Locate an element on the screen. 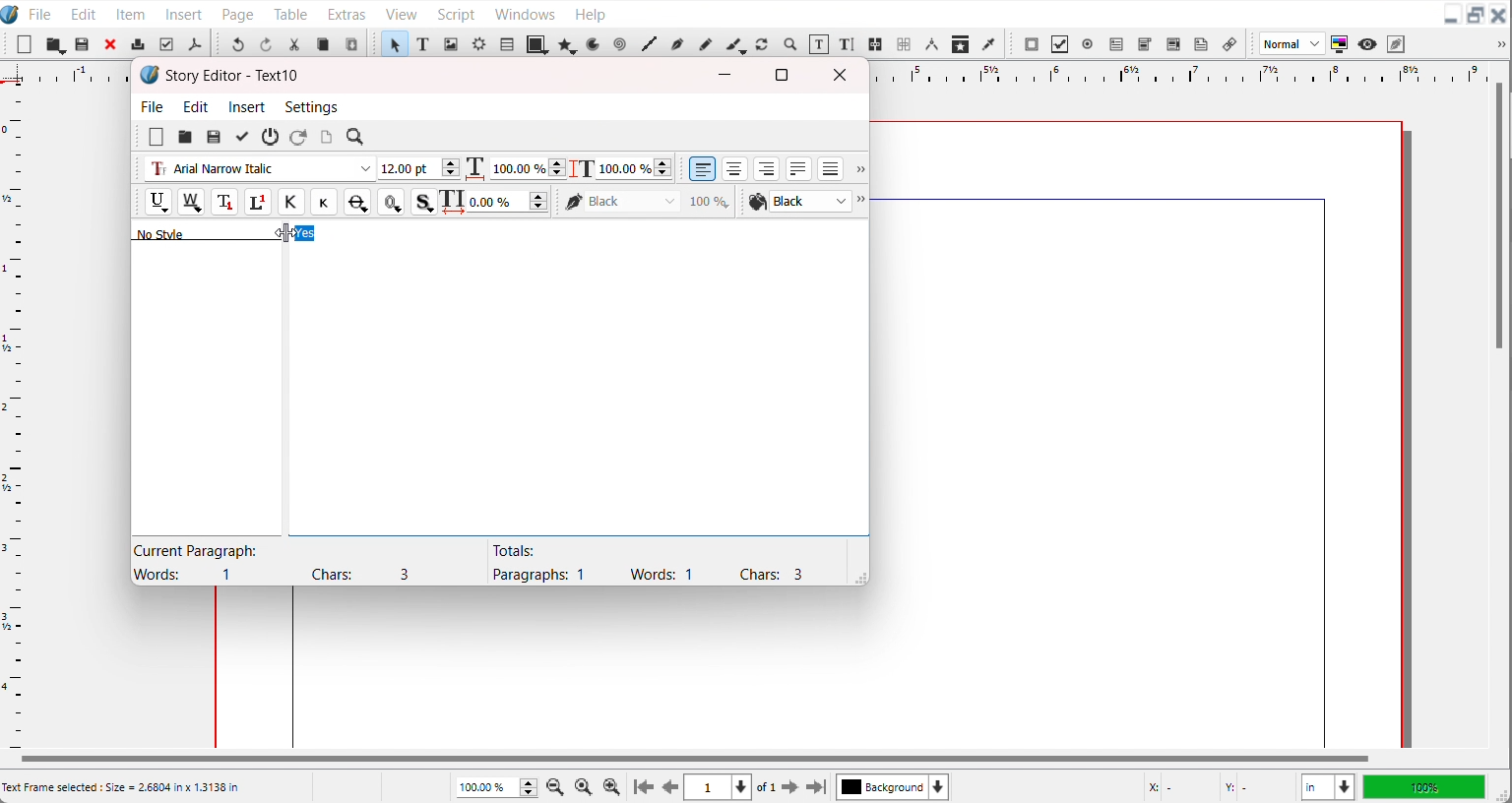  Horizontal scale is located at coordinates (1173, 73).